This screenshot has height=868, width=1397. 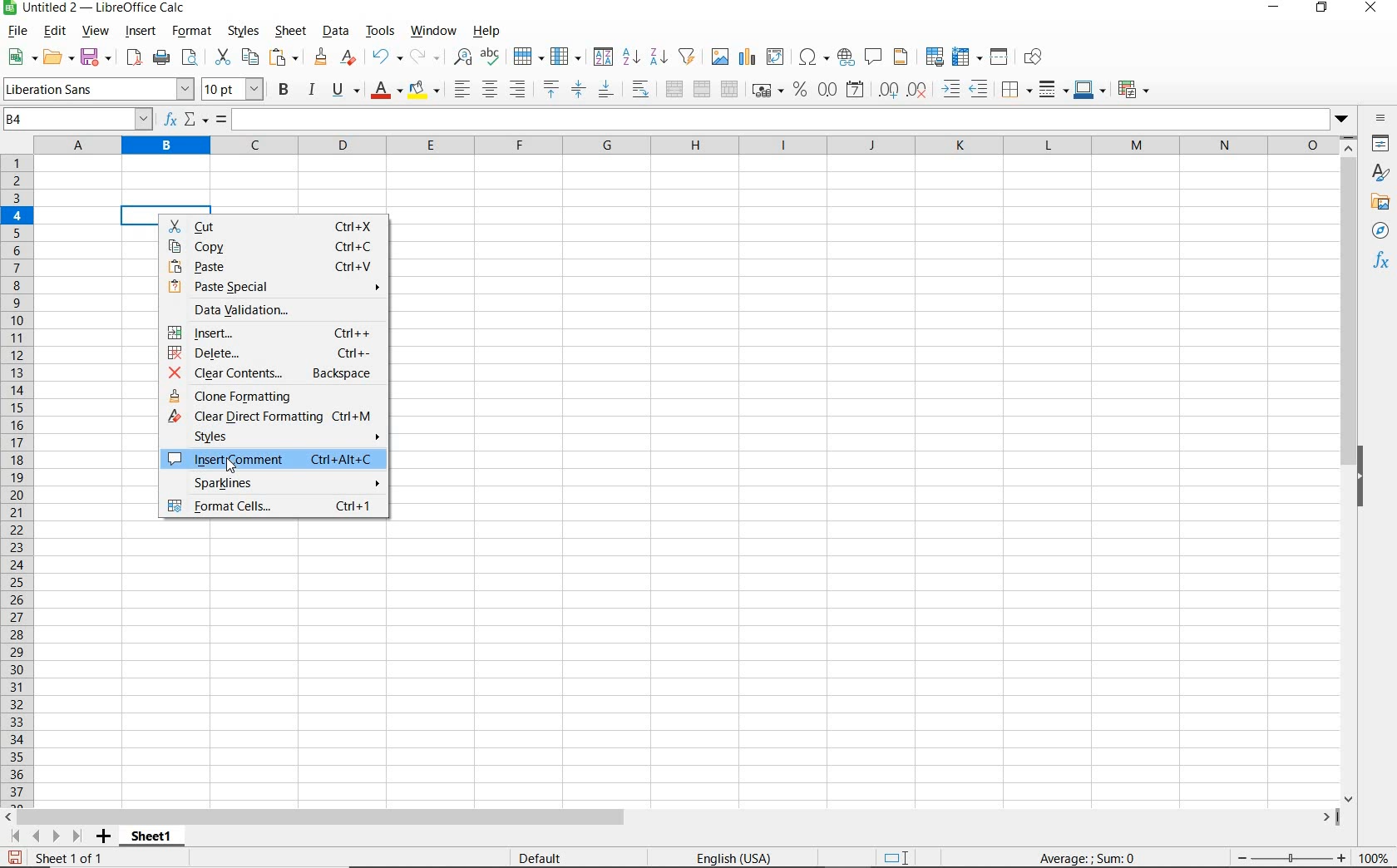 What do you see at coordinates (272, 354) in the screenshot?
I see `delete` at bounding box center [272, 354].